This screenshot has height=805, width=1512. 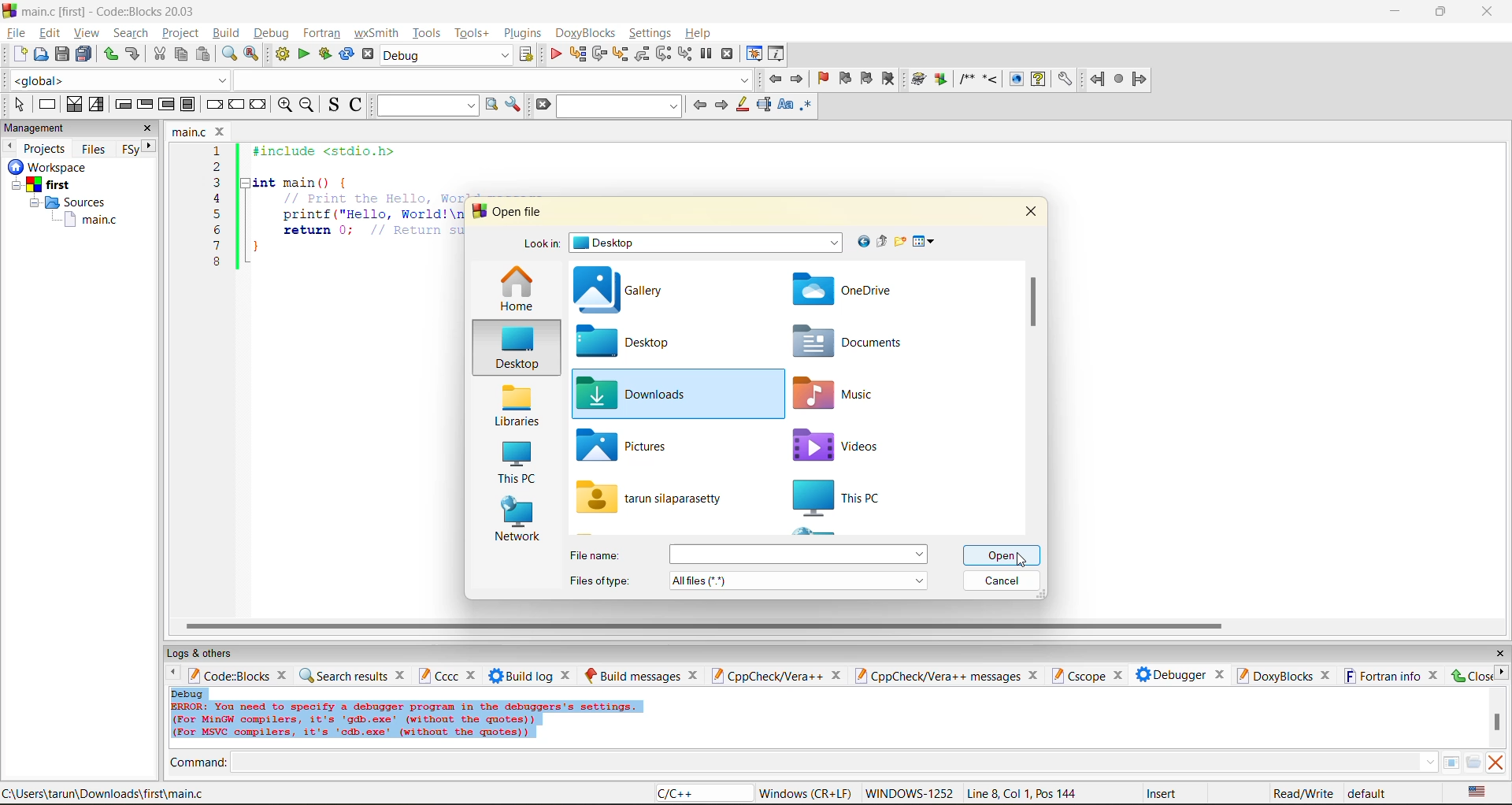 What do you see at coordinates (652, 497) in the screenshot?
I see `file name` at bounding box center [652, 497].